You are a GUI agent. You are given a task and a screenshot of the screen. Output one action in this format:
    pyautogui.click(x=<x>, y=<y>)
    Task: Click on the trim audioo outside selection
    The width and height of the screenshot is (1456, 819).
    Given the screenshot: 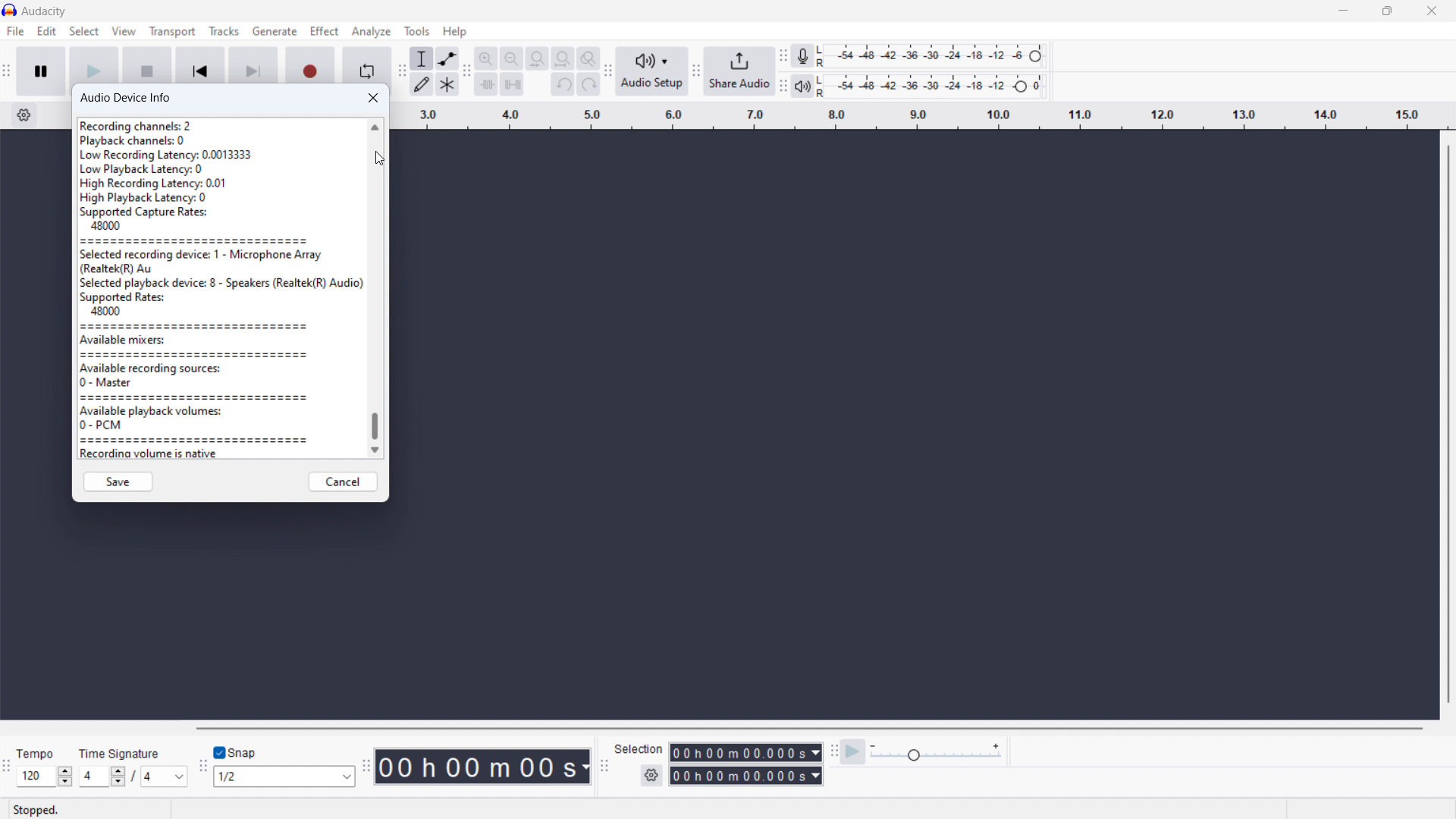 What is the action you would take?
    pyautogui.click(x=486, y=85)
    